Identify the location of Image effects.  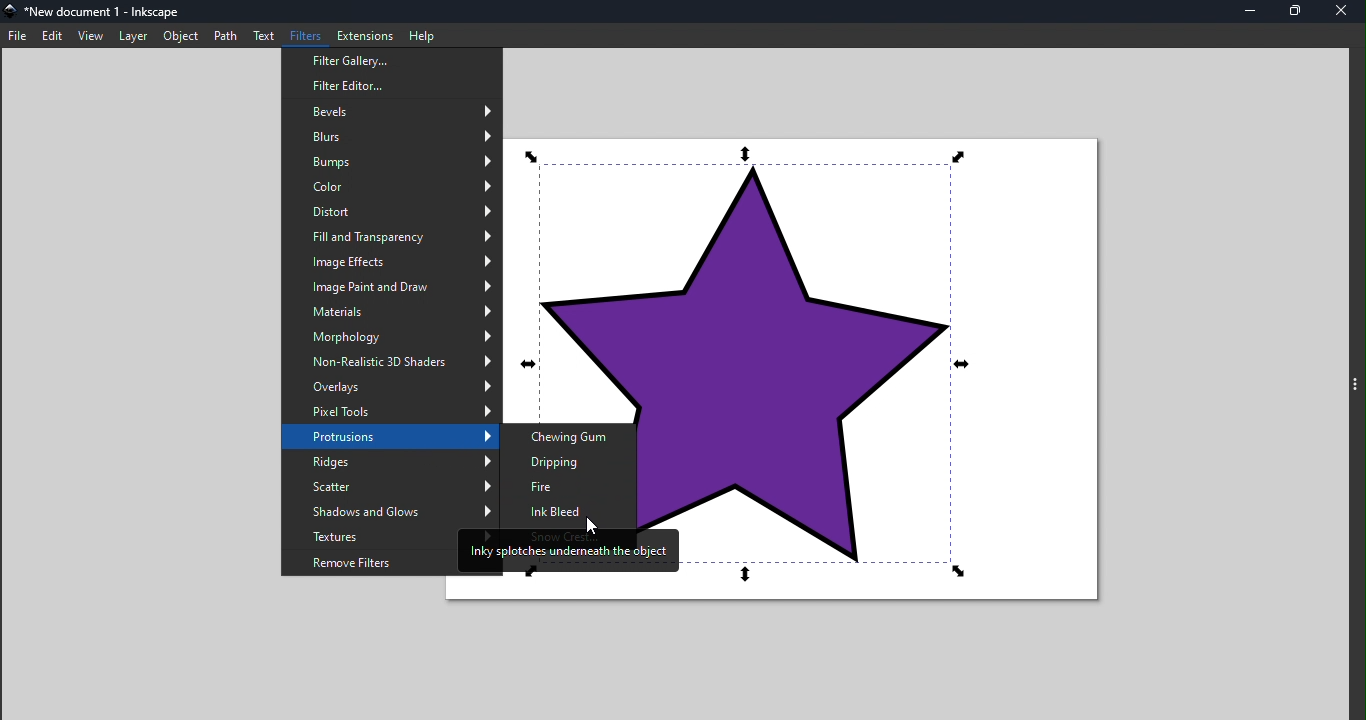
(390, 263).